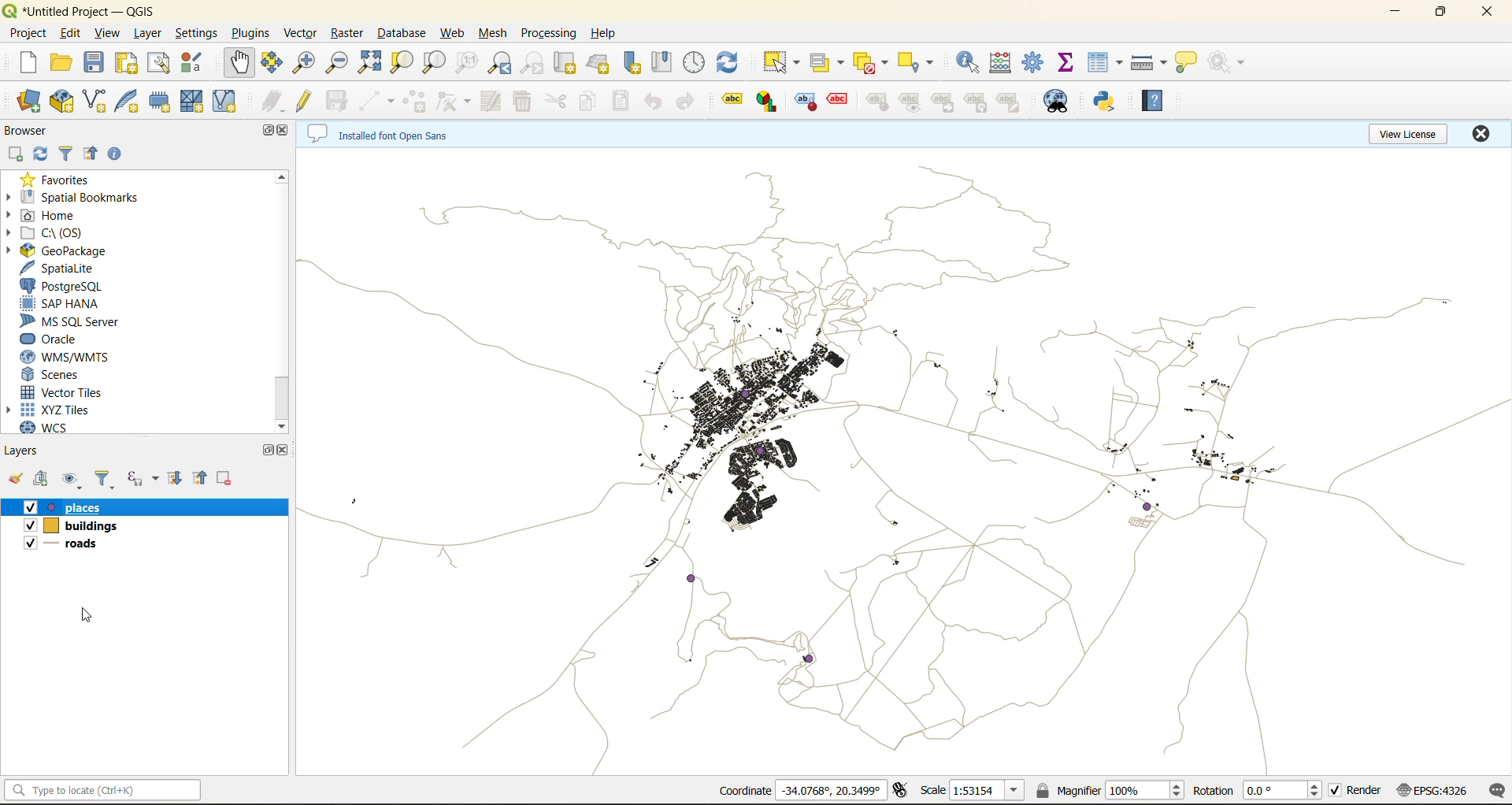  Describe the element at coordinates (145, 477) in the screenshot. I see `filter by expression` at that location.